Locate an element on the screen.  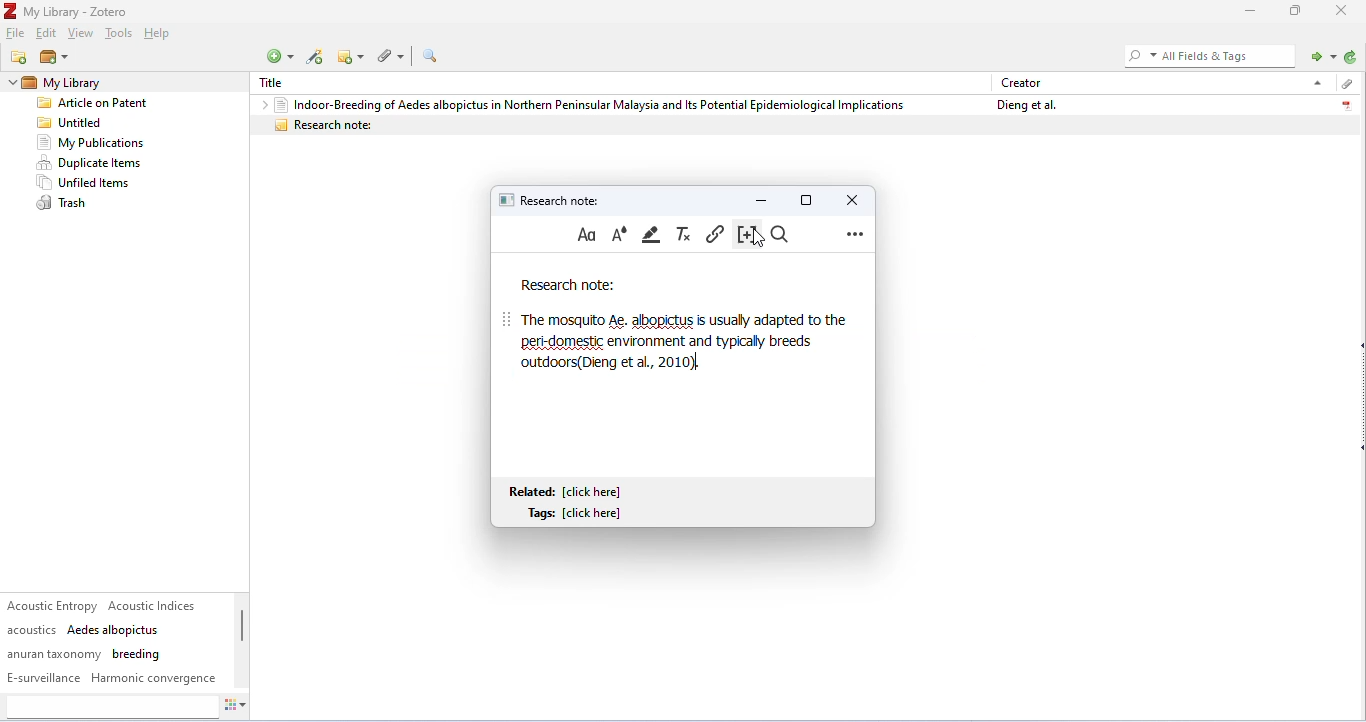
minimize is located at coordinates (762, 199).